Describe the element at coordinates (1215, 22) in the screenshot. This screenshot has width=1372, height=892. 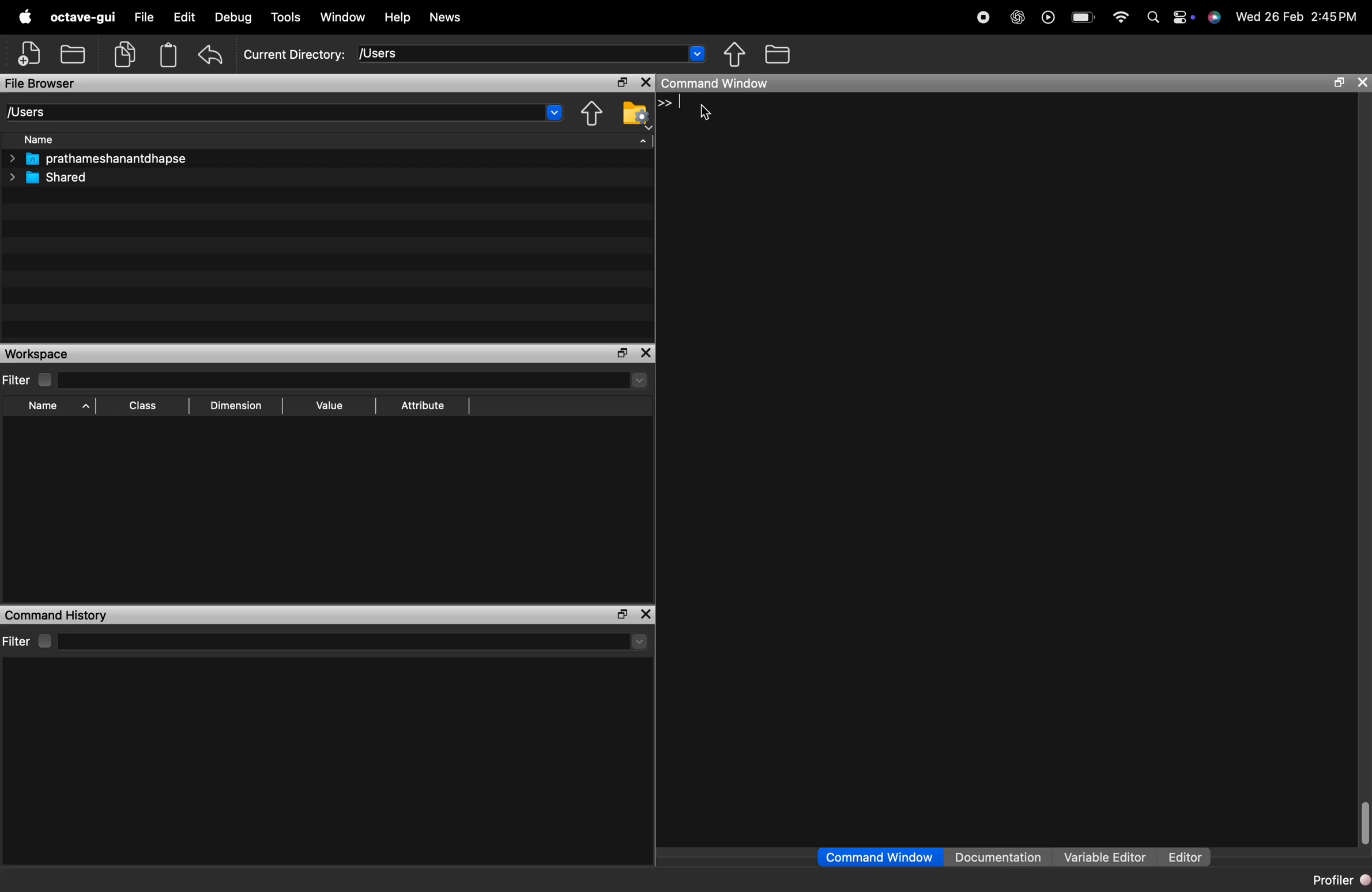
I see `siri` at that location.